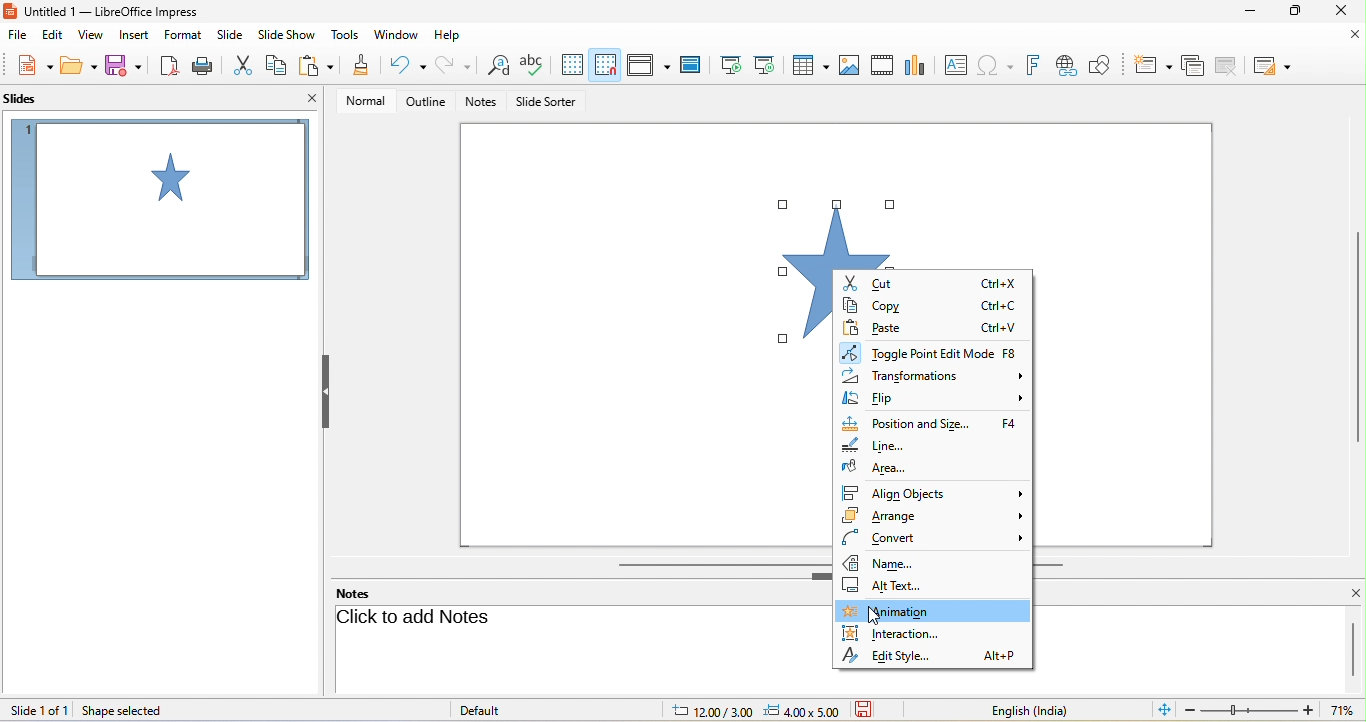  I want to click on vertical scroll bar, so click(1354, 649).